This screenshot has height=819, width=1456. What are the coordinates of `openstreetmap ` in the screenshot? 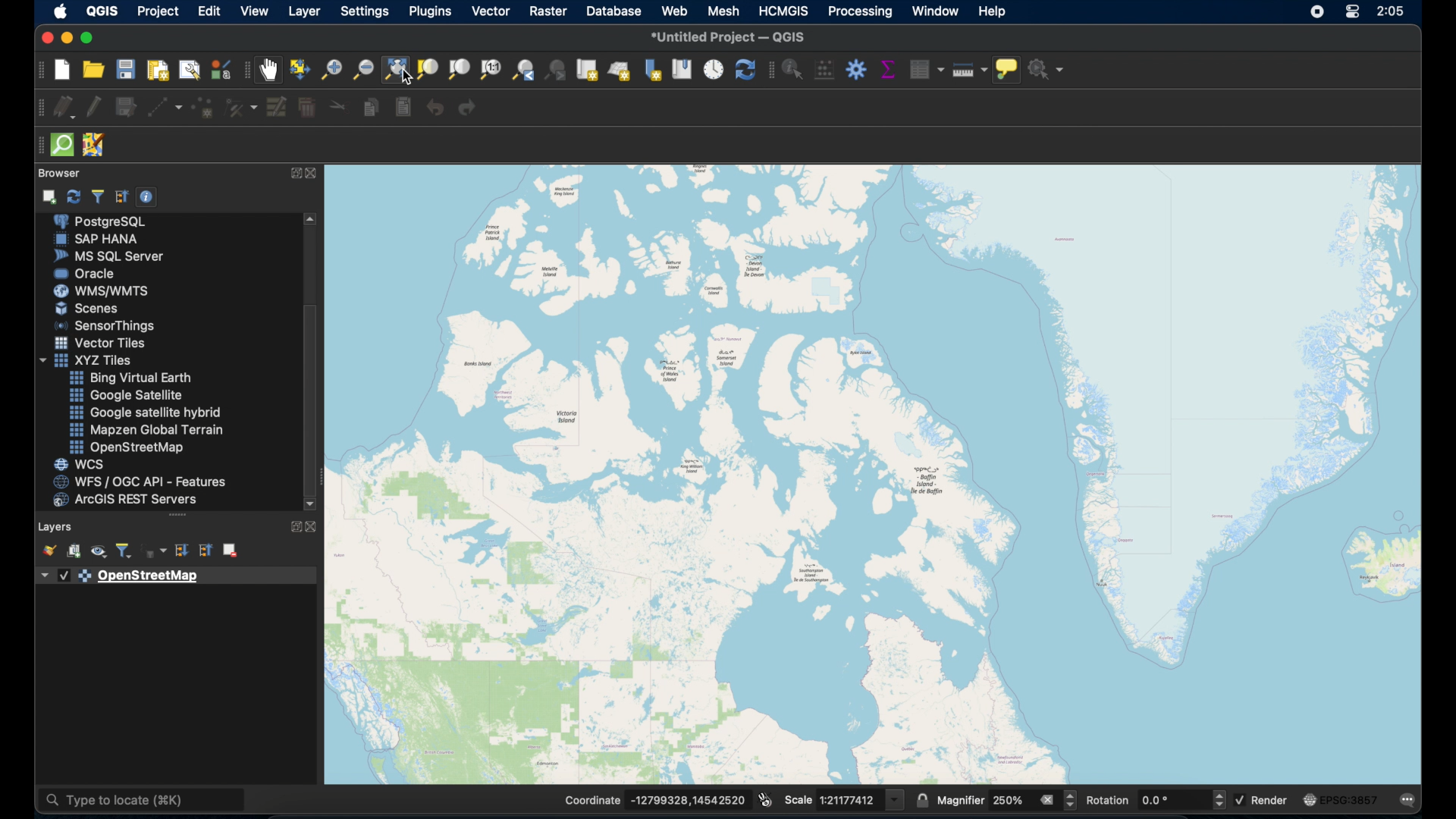 It's located at (152, 578).